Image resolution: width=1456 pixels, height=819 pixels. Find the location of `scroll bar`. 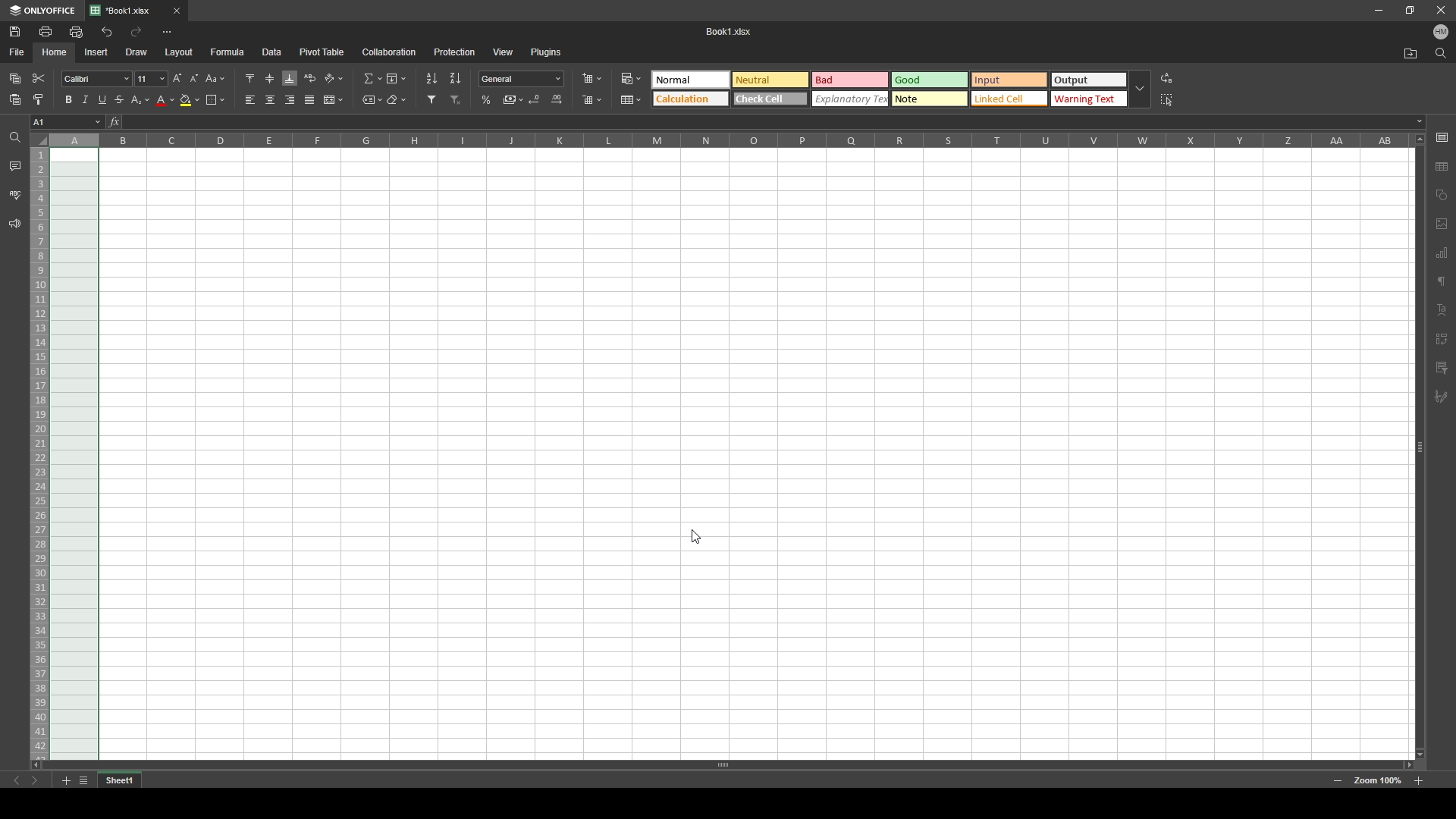

scroll bar is located at coordinates (722, 764).